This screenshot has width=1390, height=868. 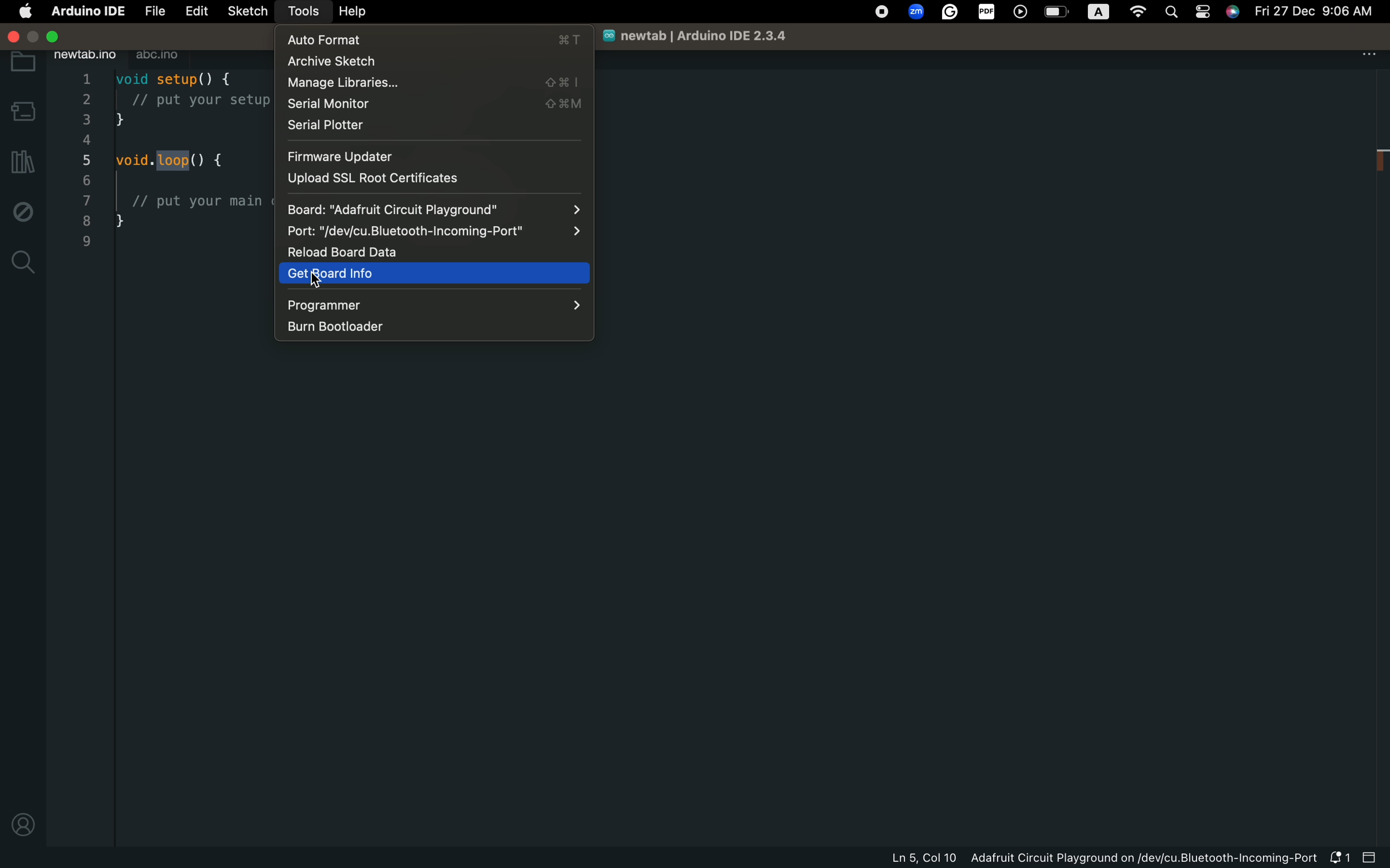 What do you see at coordinates (247, 12) in the screenshot?
I see `sketch` at bounding box center [247, 12].